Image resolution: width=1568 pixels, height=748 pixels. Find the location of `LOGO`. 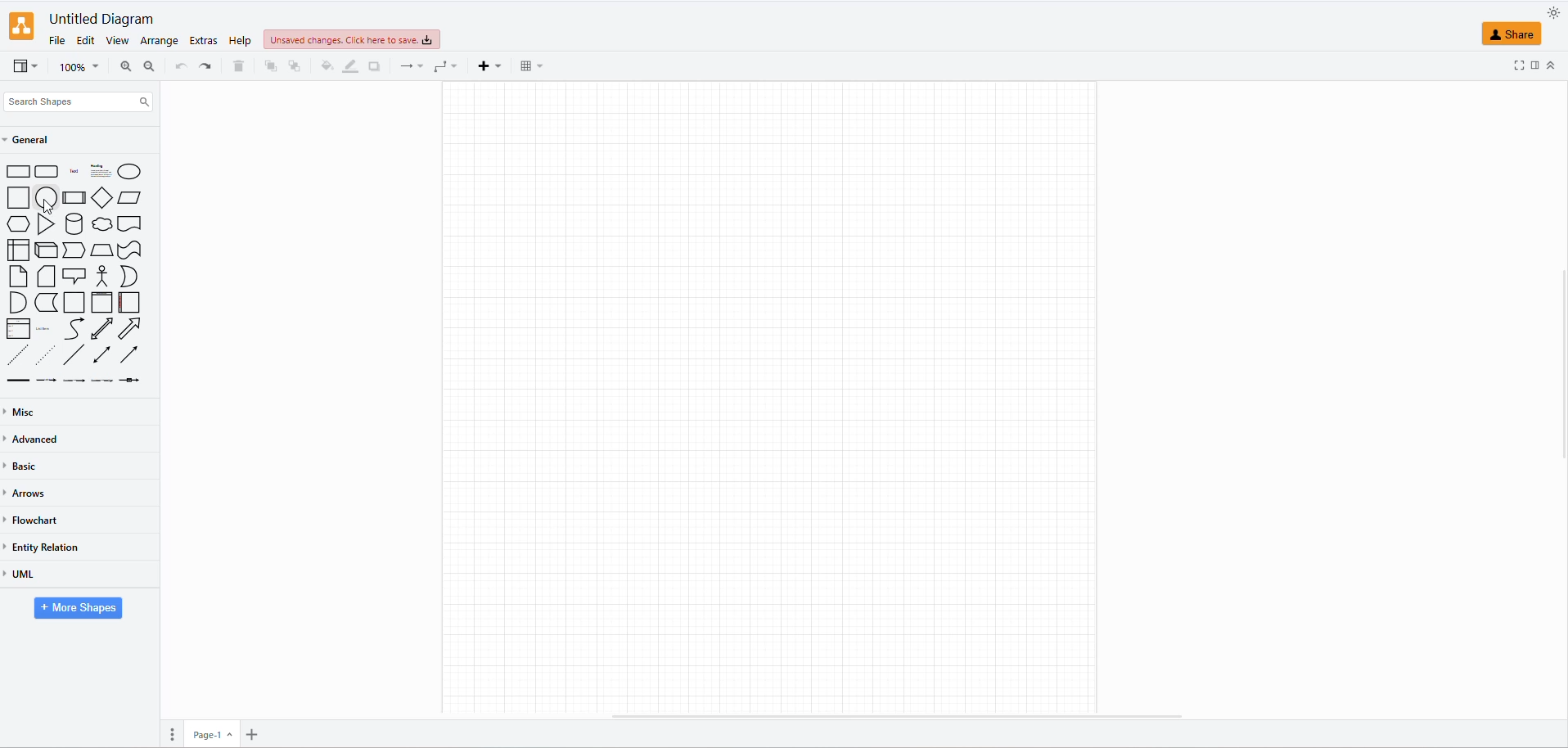

LOGO is located at coordinates (21, 25).